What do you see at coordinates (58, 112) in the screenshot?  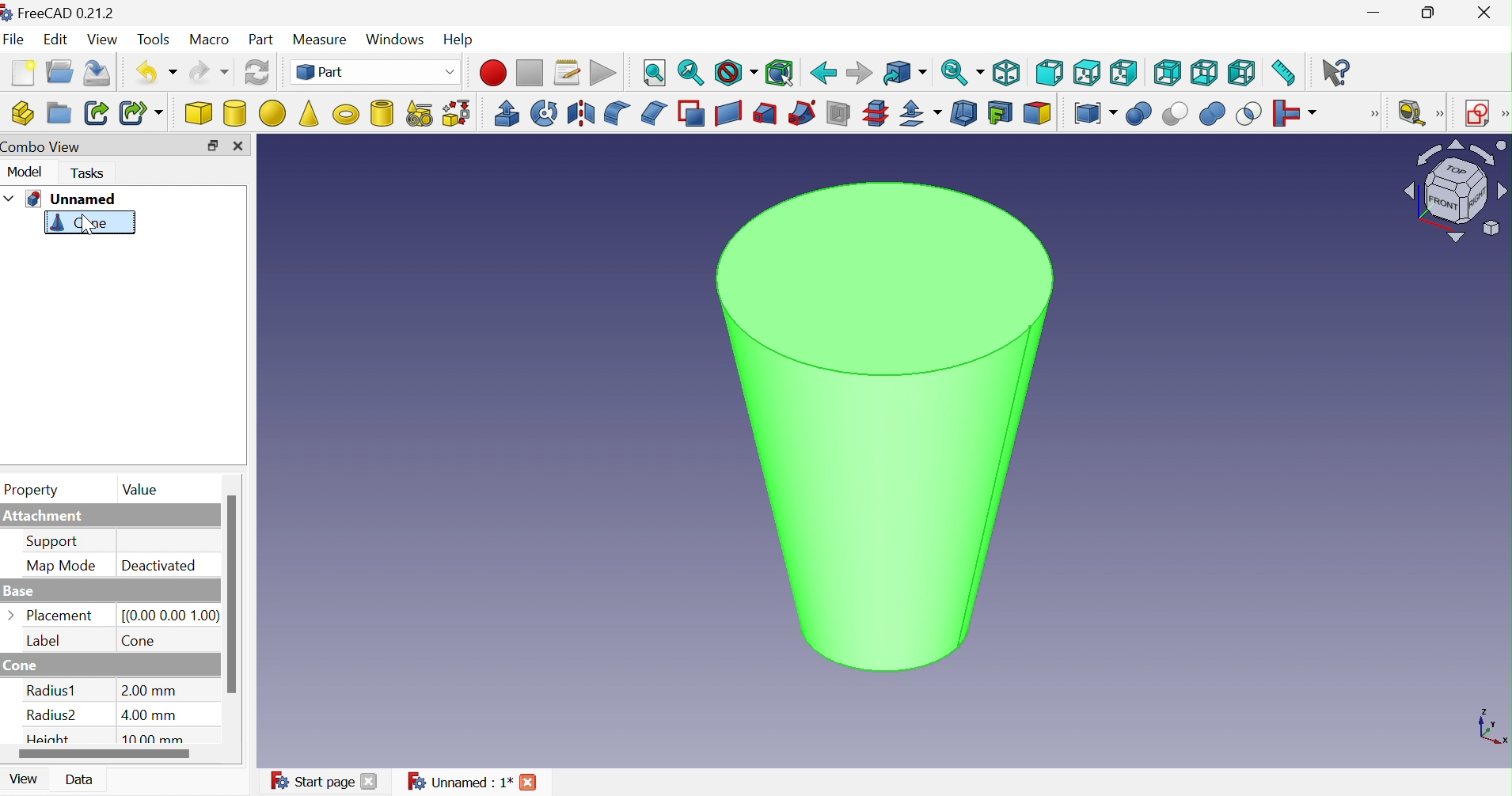 I see `Create group` at bounding box center [58, 112].